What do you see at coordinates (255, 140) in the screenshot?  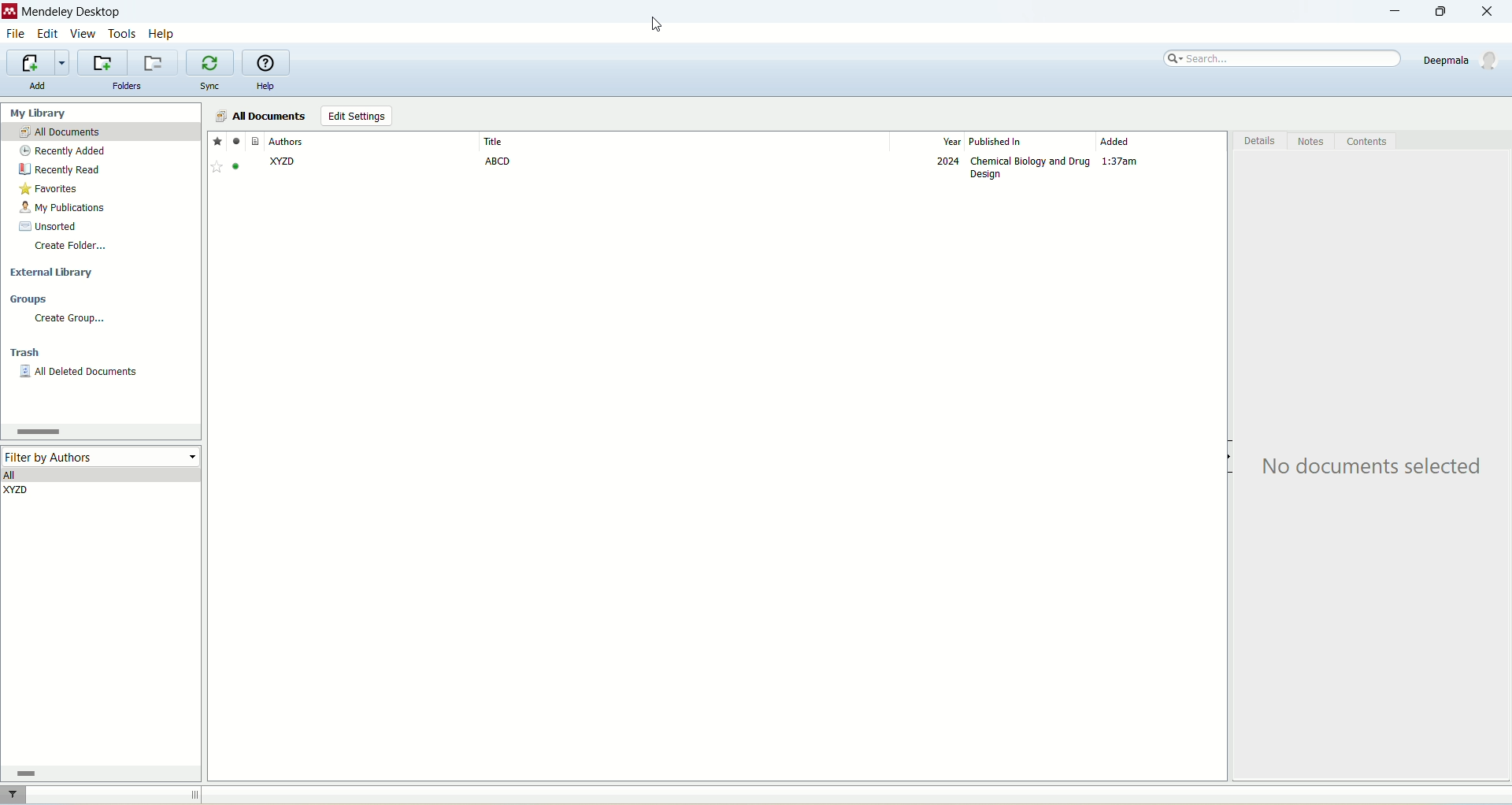 I see `document` at bounding box center [255, 140].